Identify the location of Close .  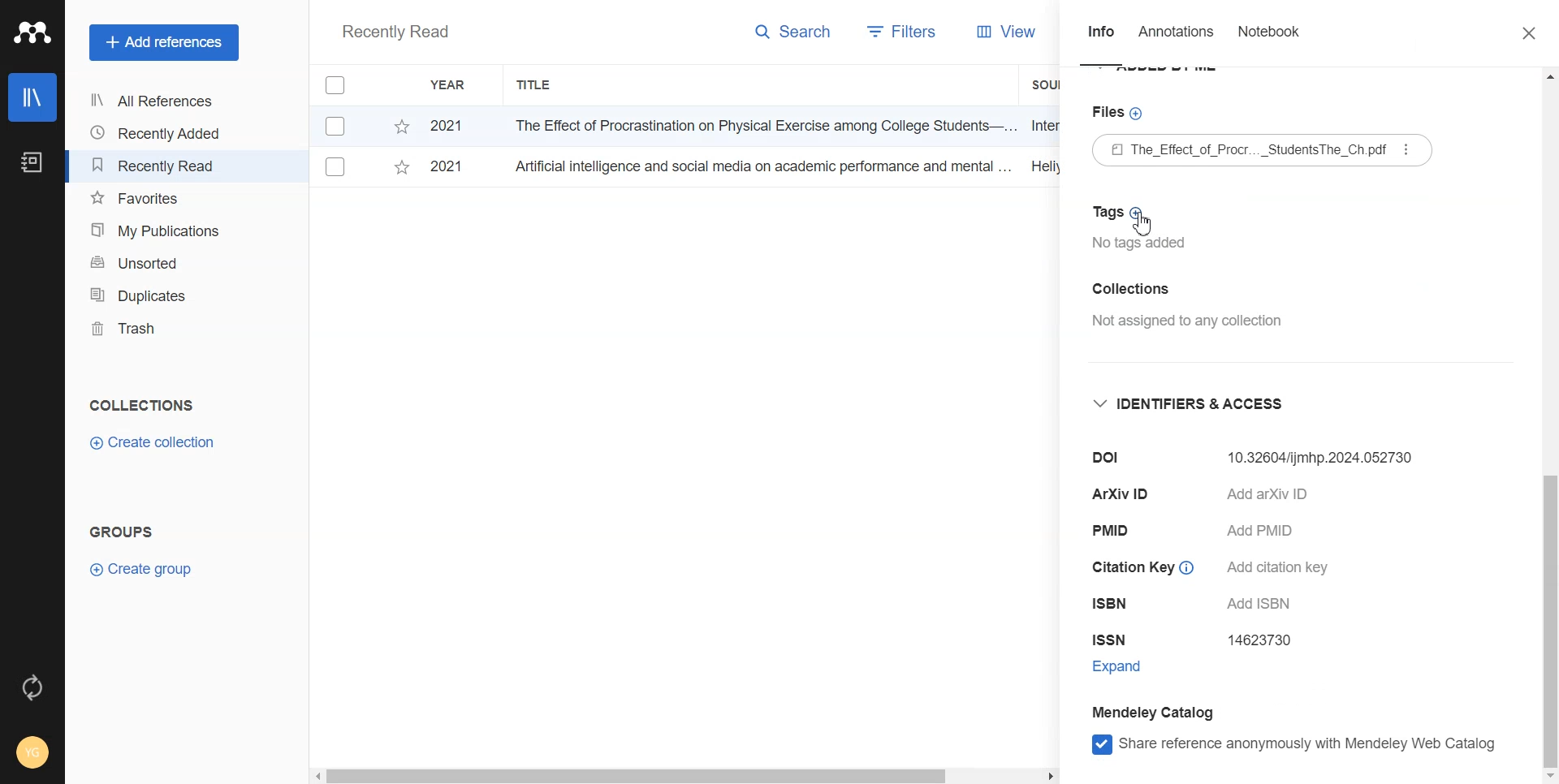
(1521, 34).